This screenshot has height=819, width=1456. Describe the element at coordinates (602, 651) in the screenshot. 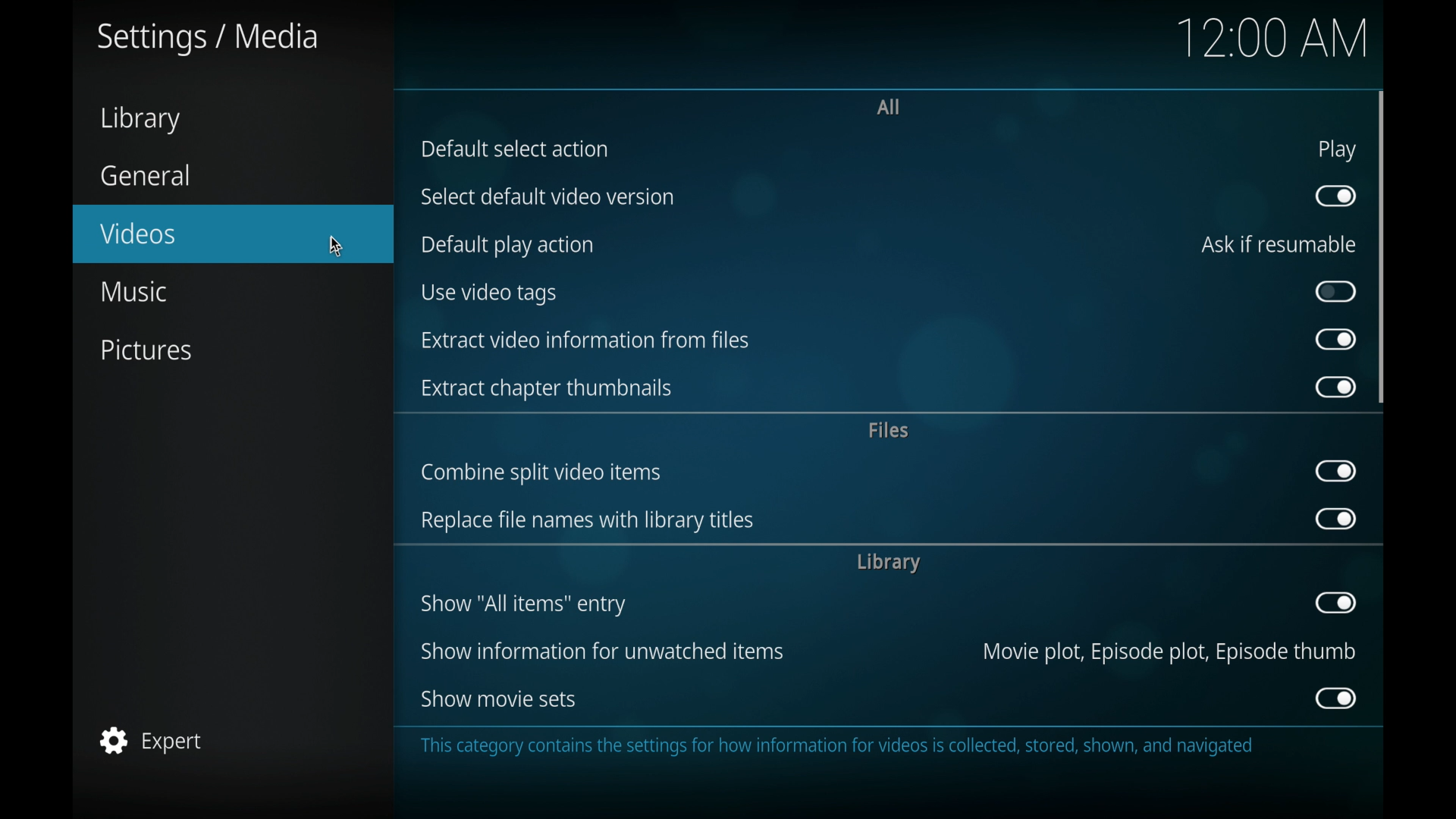

I see `show information for unwatched items` at that location.